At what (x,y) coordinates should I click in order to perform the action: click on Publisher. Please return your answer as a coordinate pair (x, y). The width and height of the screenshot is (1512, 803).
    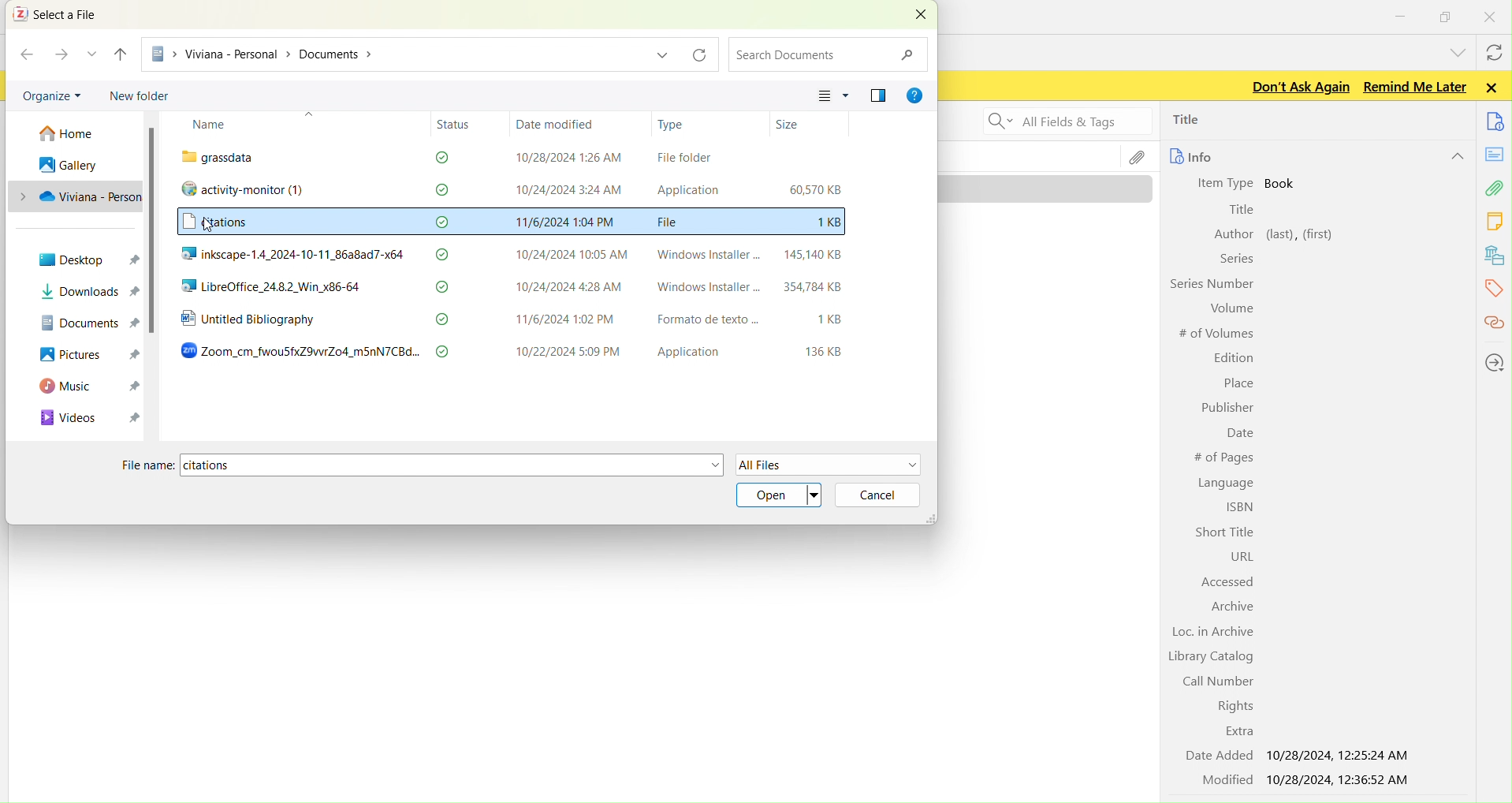
    Looking at the image, I should click on (1225, 407).